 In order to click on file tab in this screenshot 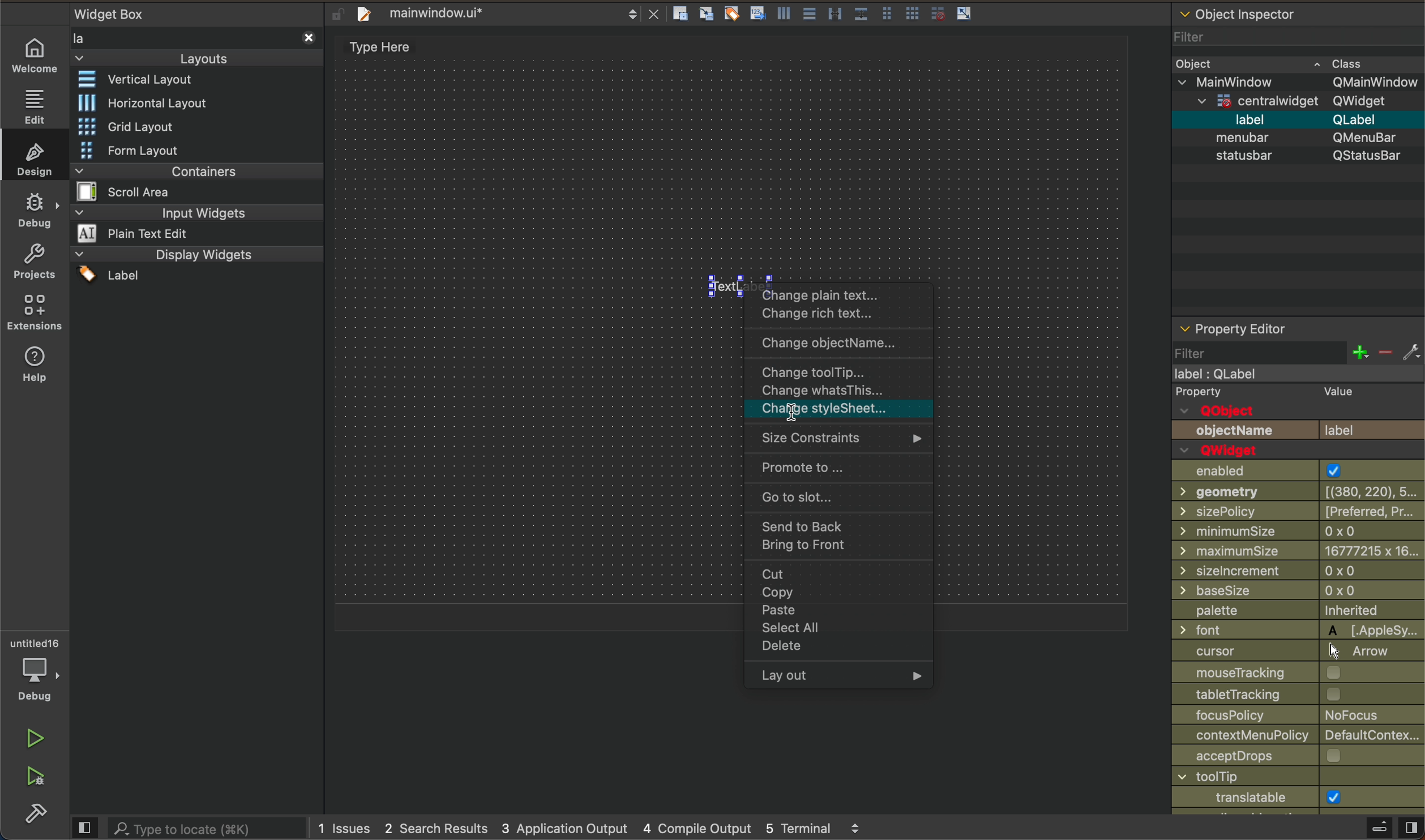, I will do `click(508, 12)`.